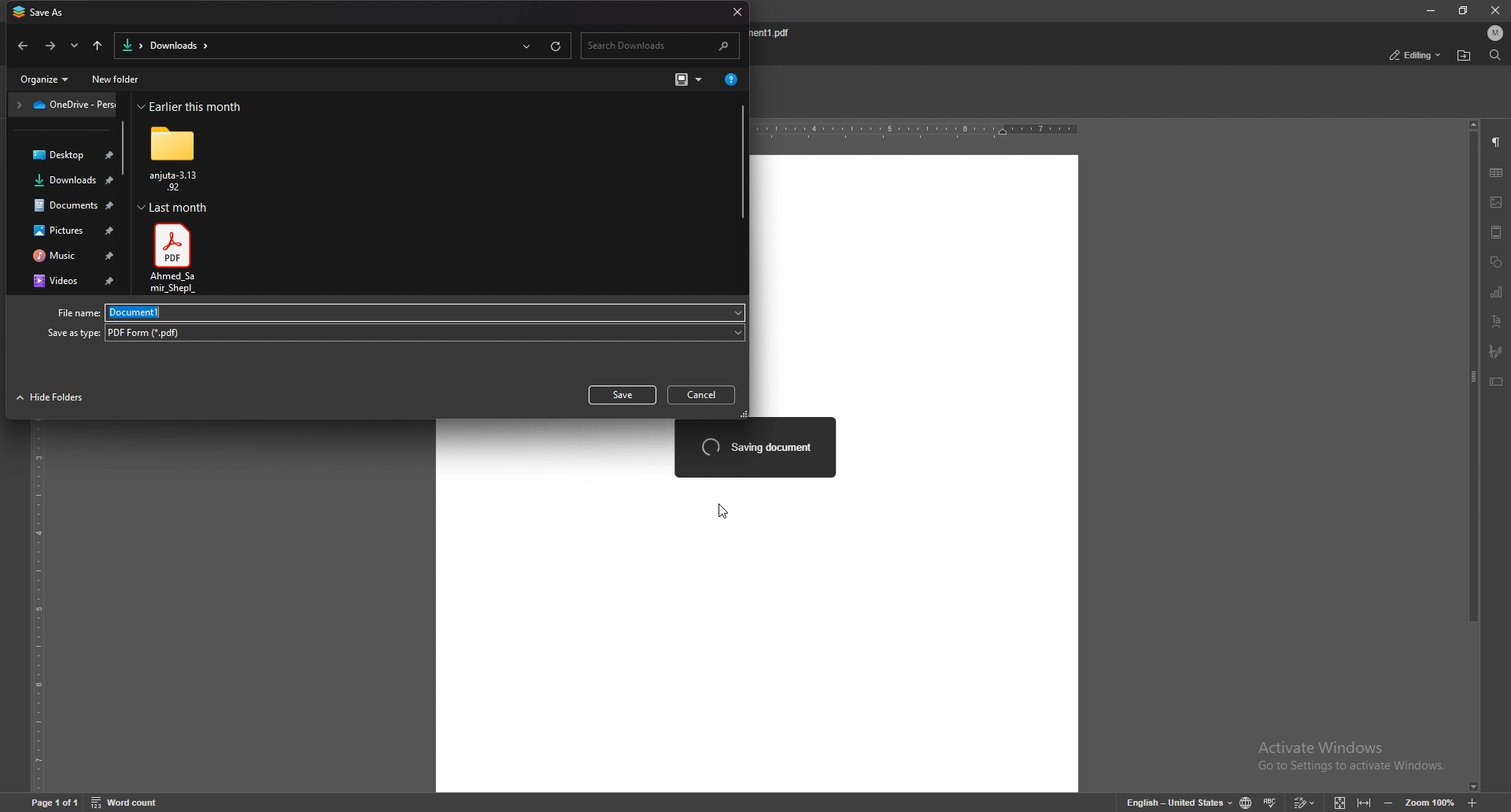 This screenshot has height=812, width=1511. What do you see at coordinates (193, 106) in the screenshot?
I see `time` at bounding box center [193, 106].